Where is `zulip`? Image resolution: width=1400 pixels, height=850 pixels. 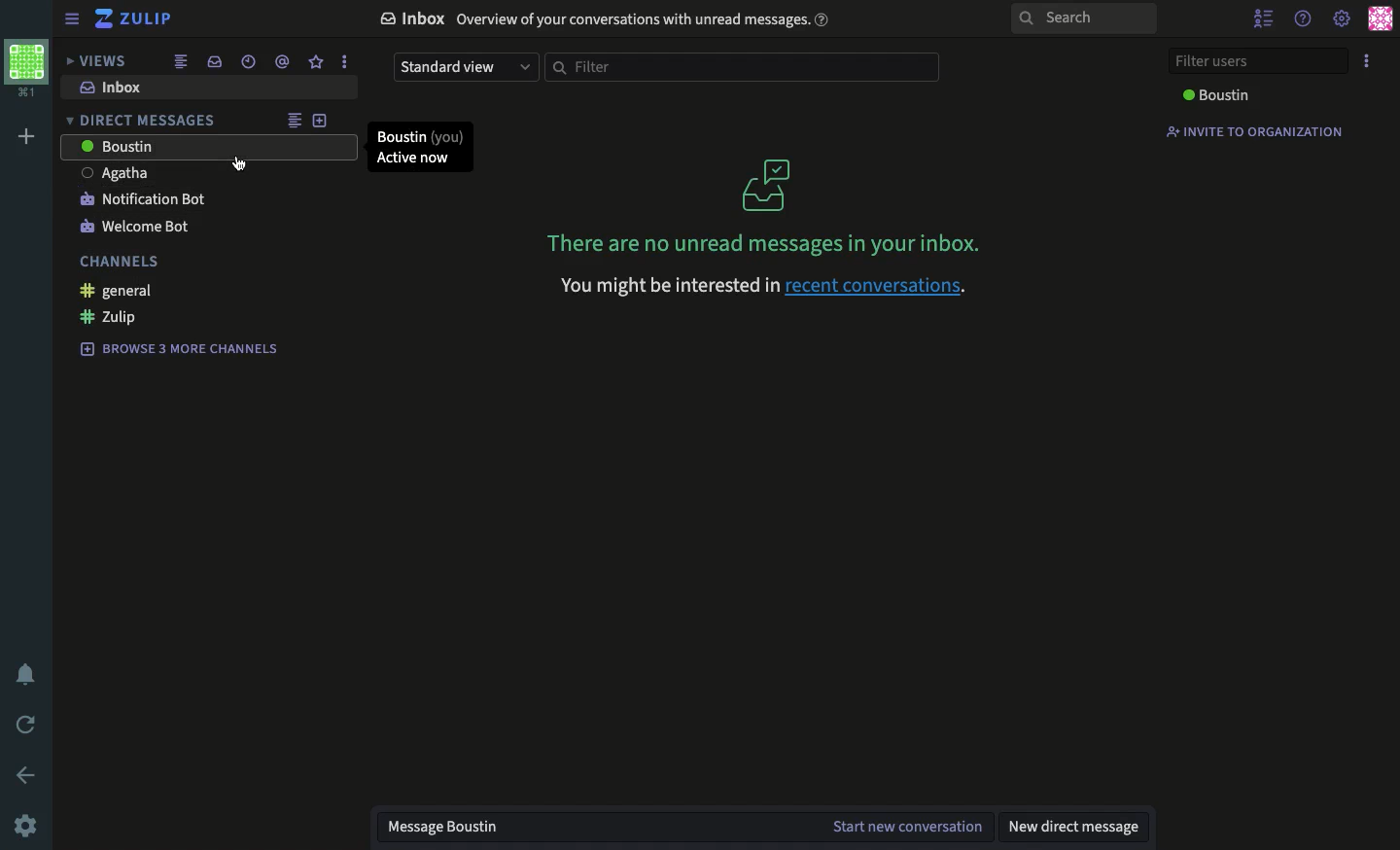
zulip is located at coordinates (134, 18).